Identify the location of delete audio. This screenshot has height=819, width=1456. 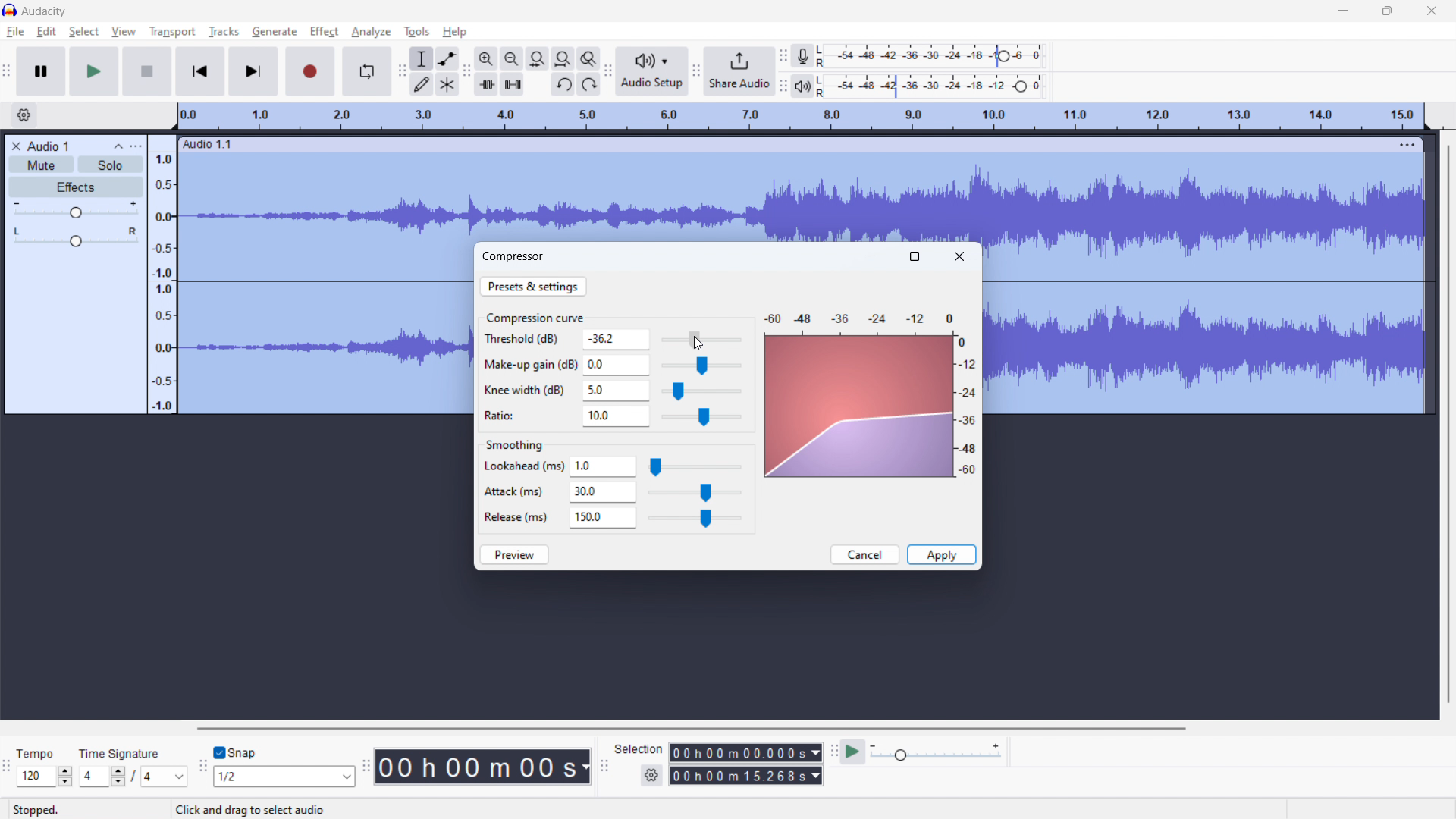
(15, 146).